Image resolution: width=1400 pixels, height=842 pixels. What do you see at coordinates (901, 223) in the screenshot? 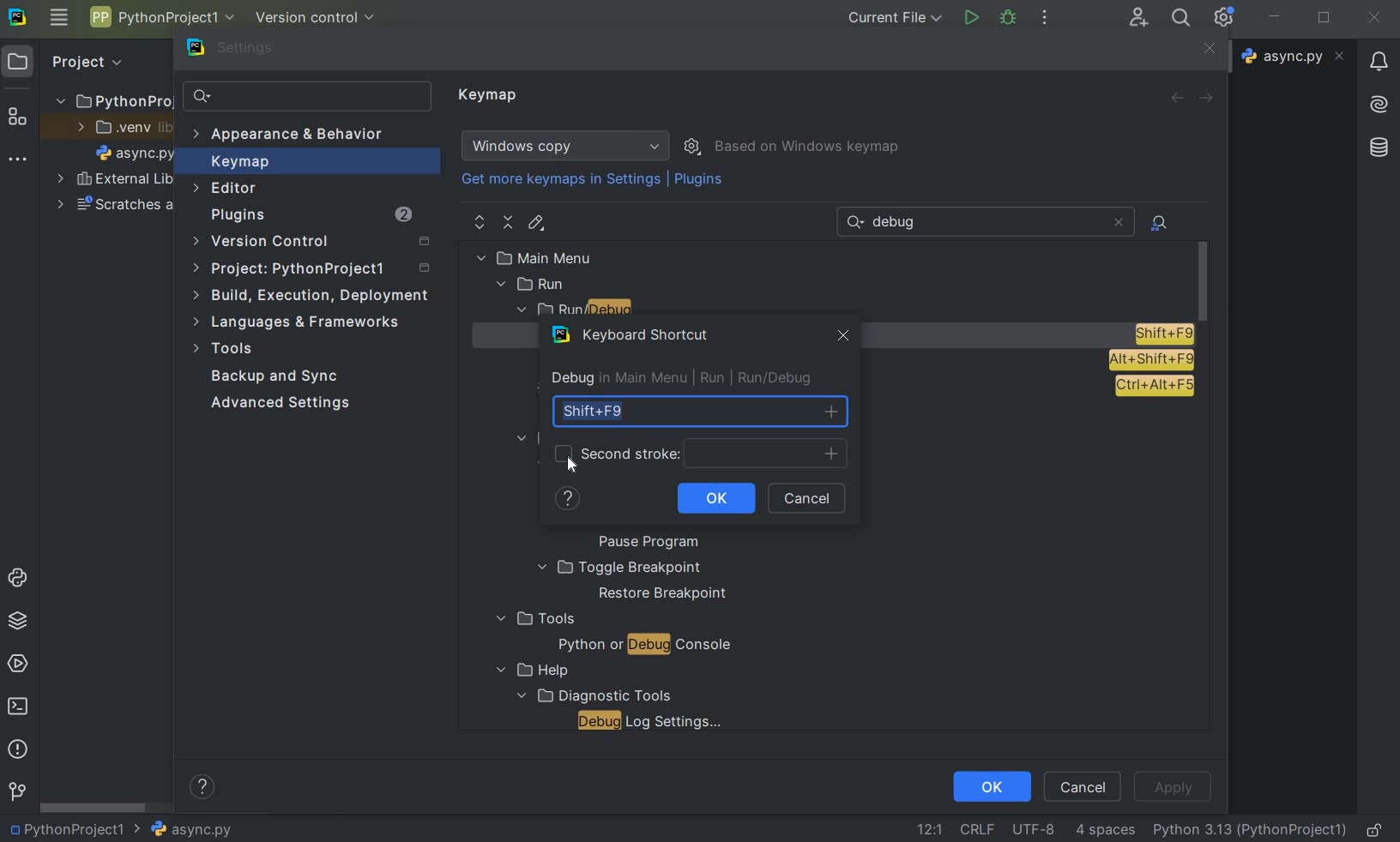
I see `text` at bounding box center [901, 223].